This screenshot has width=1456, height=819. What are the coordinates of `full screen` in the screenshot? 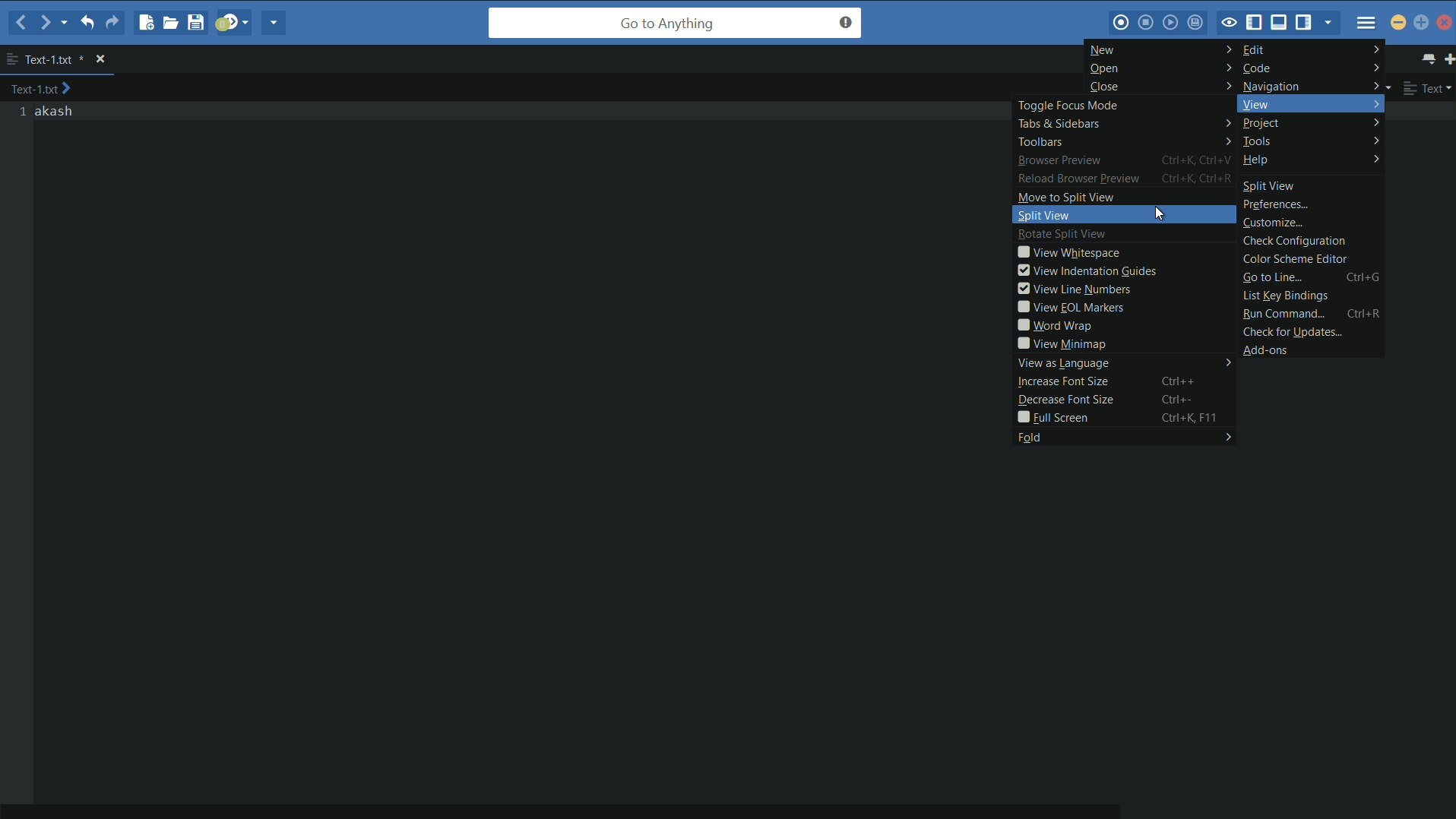 It's located at (1125, 417).